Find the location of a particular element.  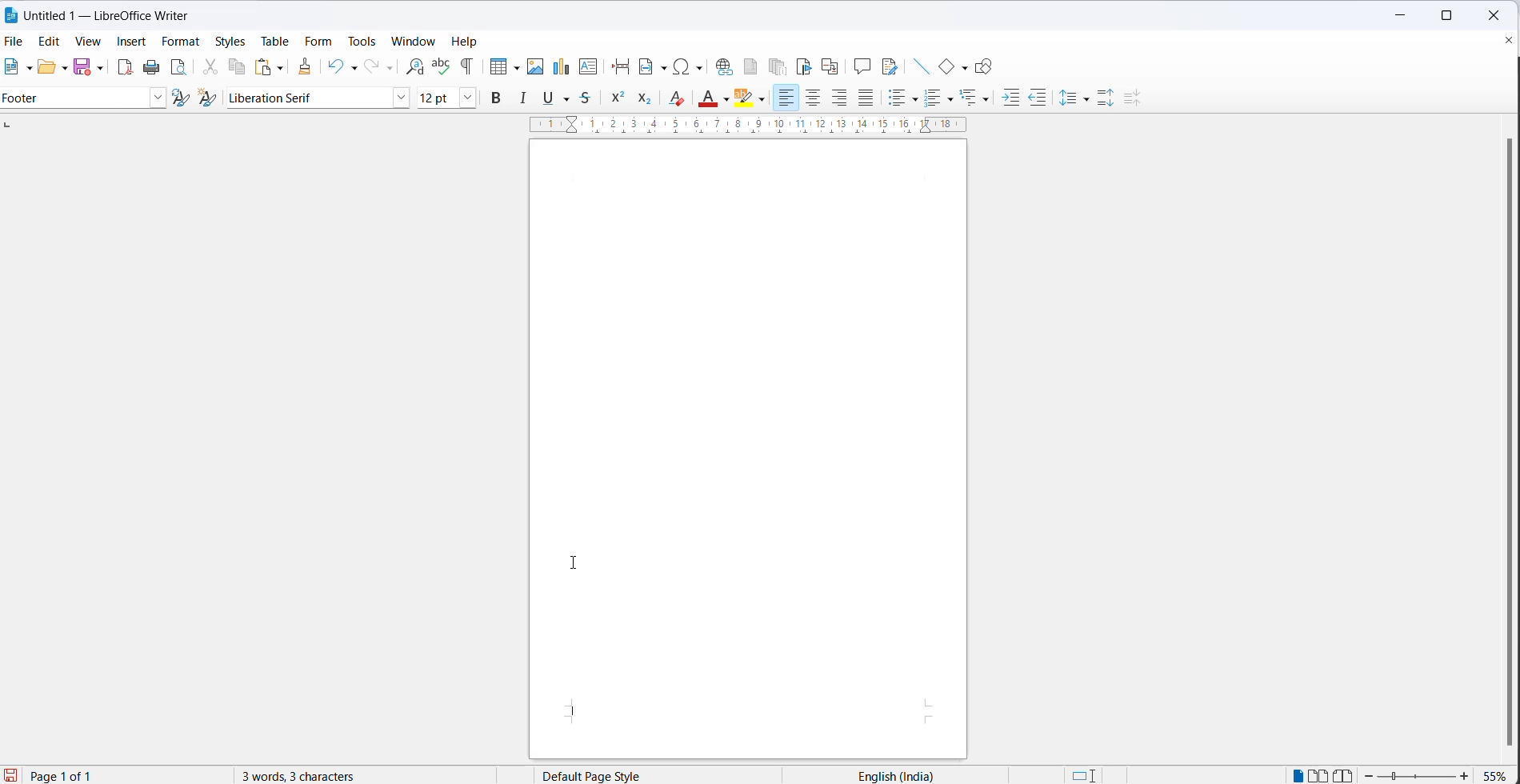

tools is located at coordinates (360, 40).